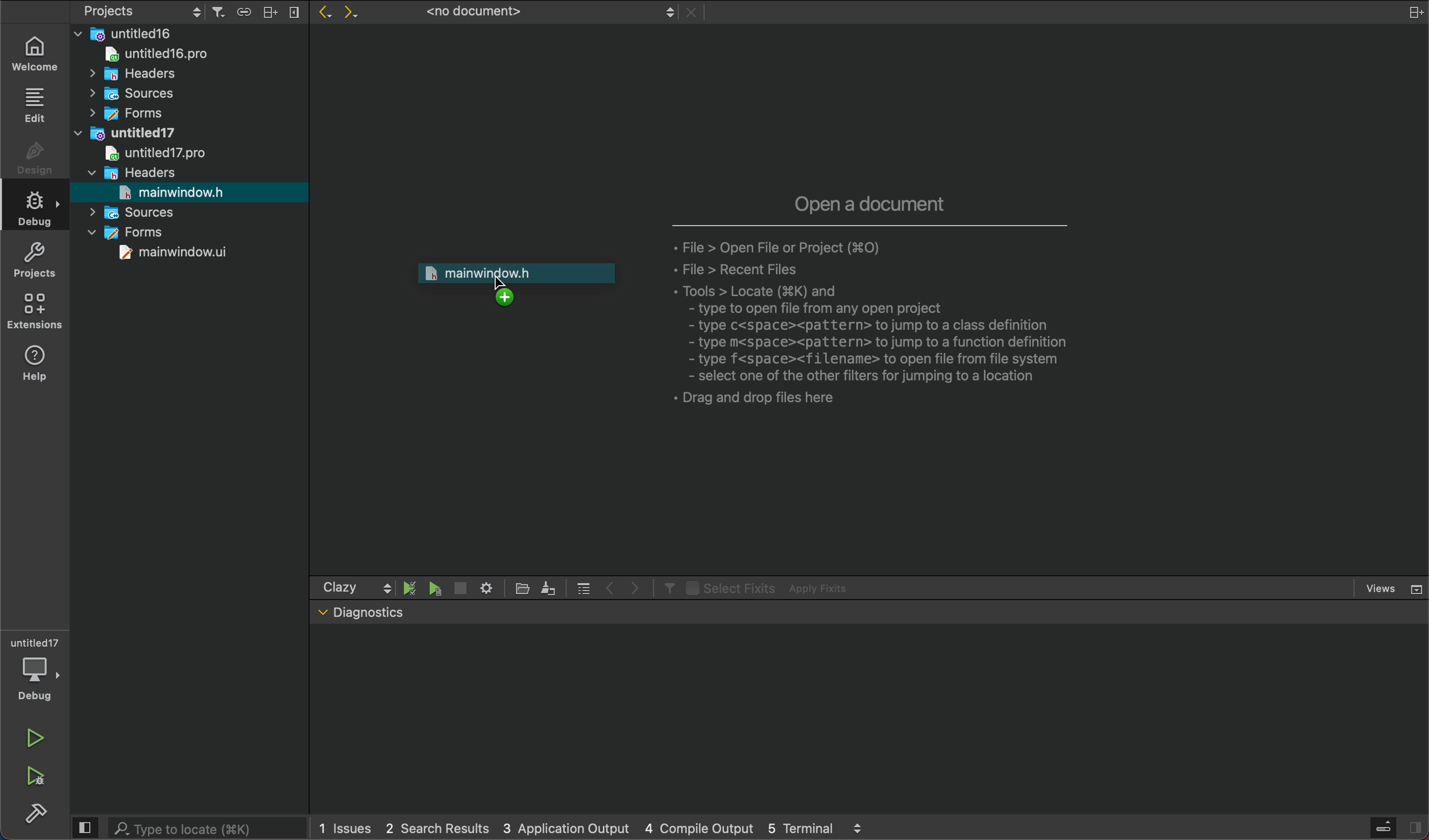  Describe the element at coordinates (176, 254) in the screenshot. I see `mainwindow.ui` at that location.